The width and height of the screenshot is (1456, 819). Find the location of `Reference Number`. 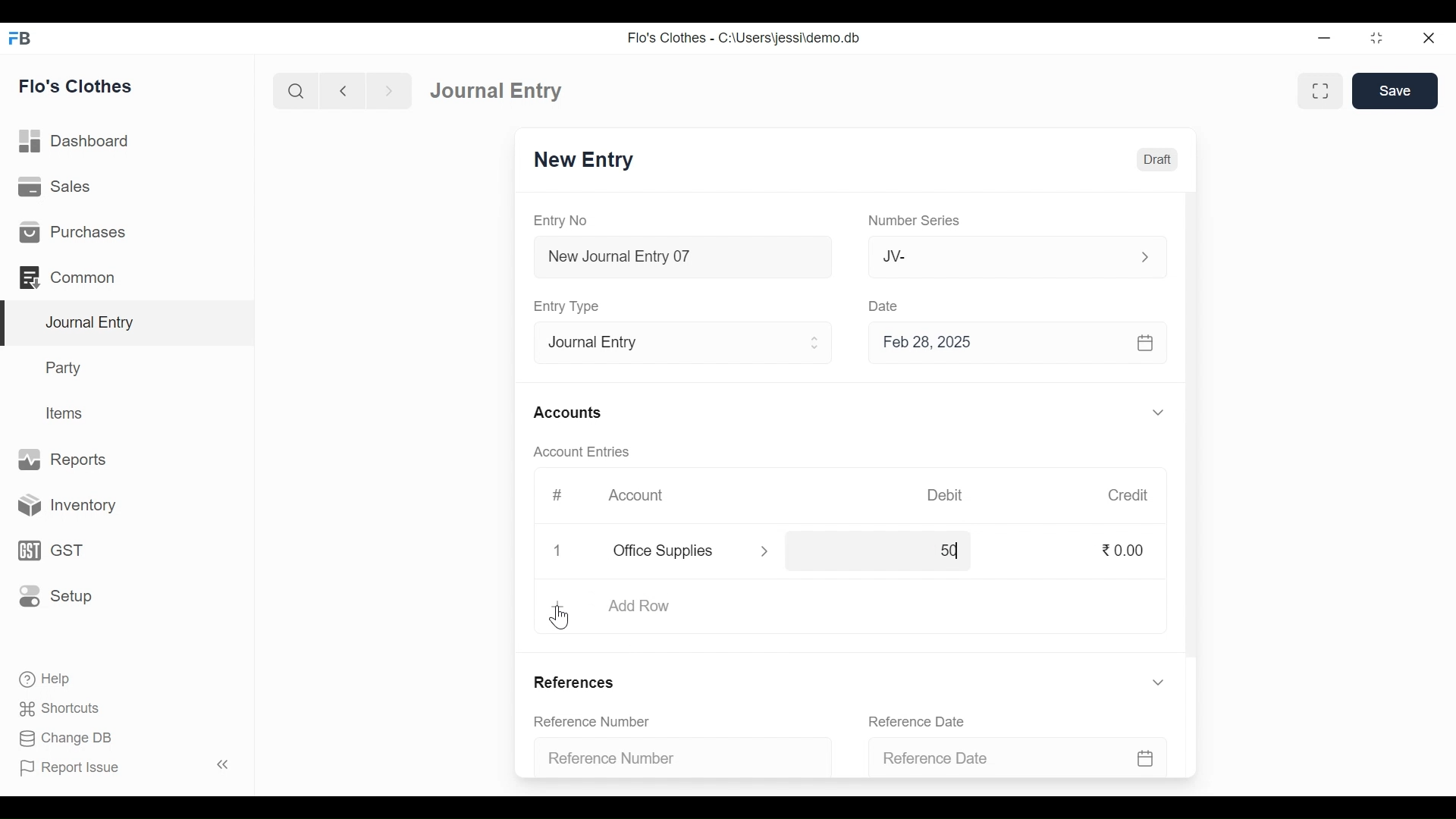

Reference Number is located at coordinates (593, 720).